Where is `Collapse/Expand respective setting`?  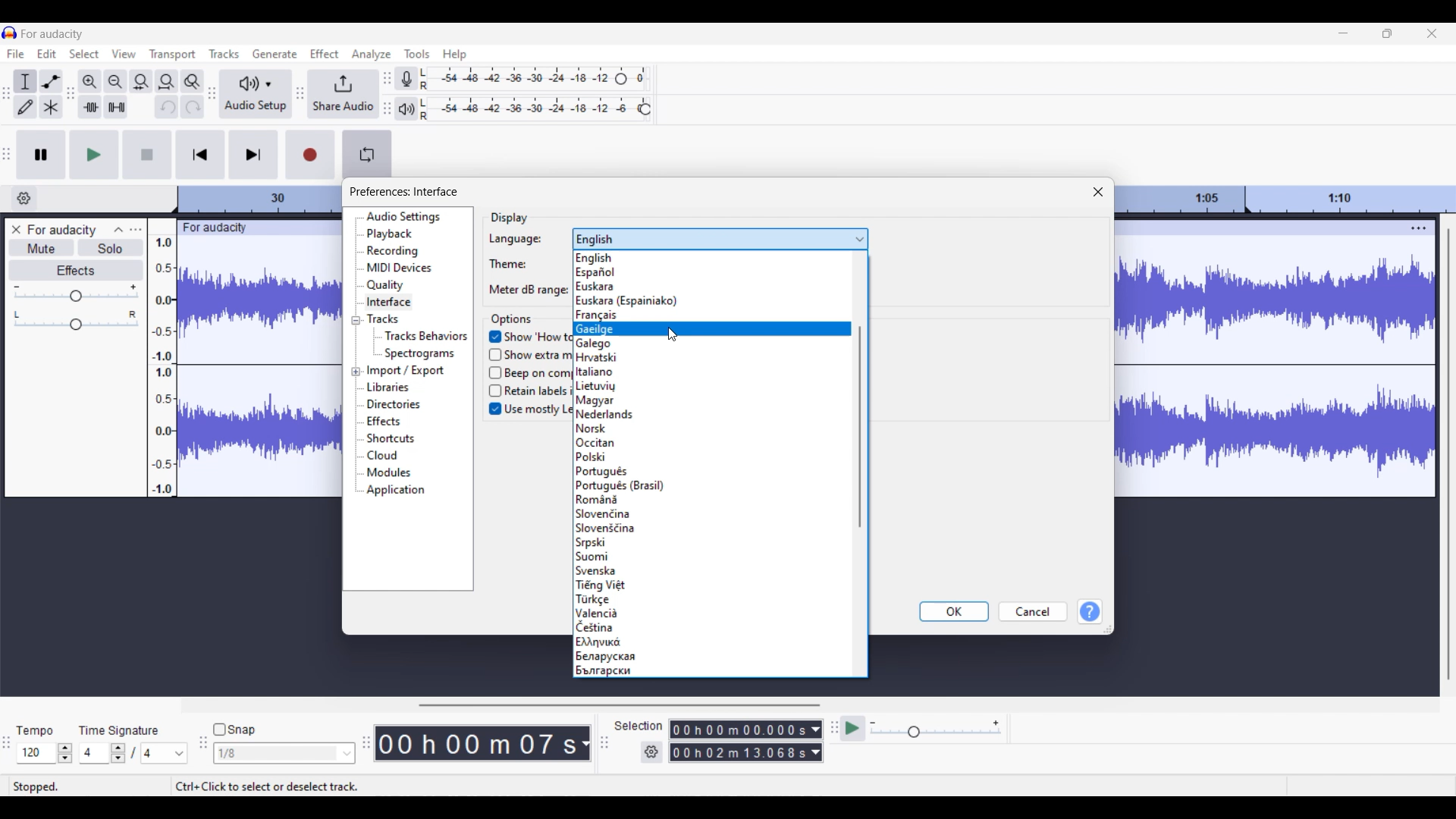
Collapse/Expand respective setting is located at coordinates (356, 347).